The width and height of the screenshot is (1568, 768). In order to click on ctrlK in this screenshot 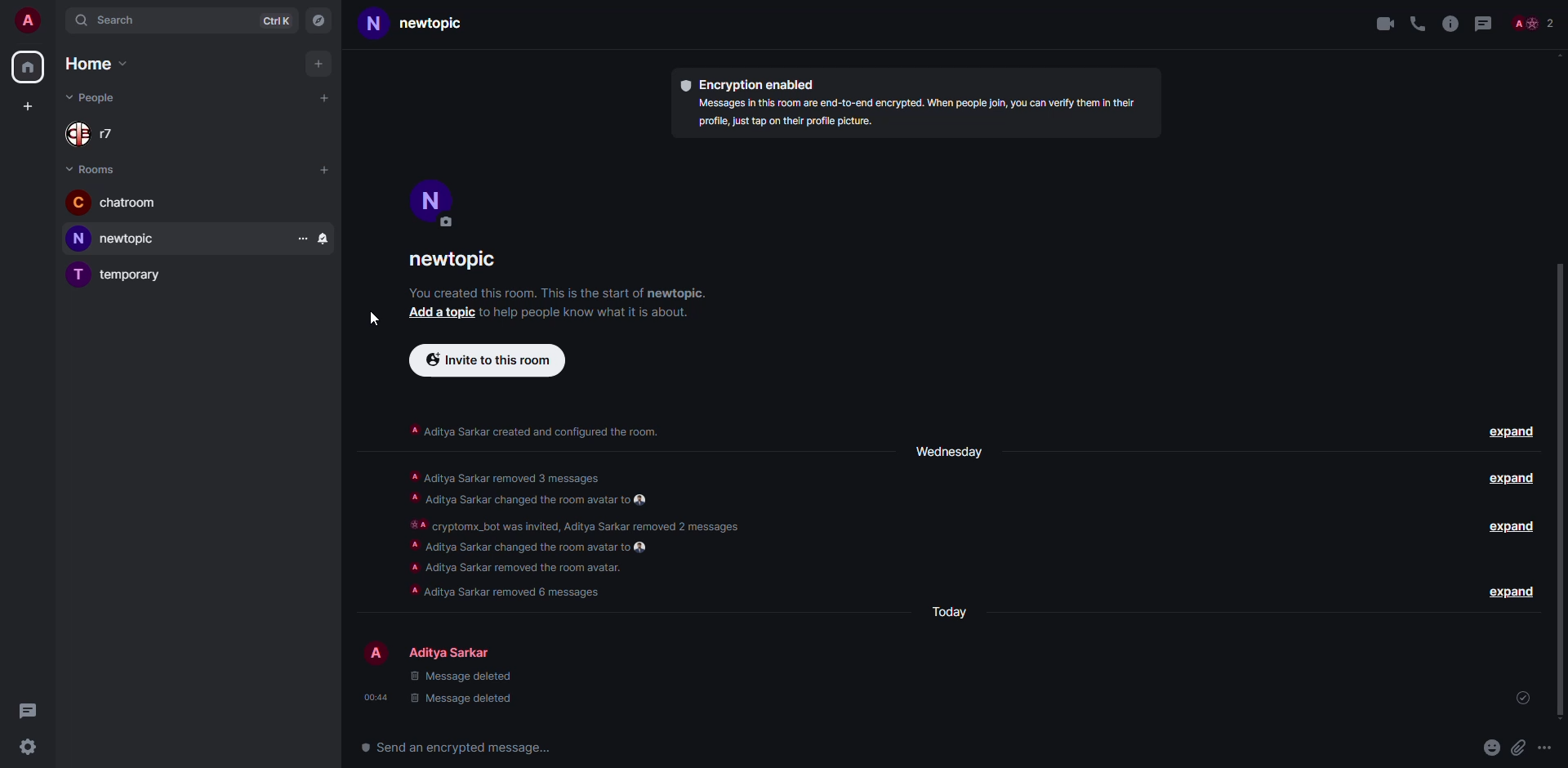, I will do `click(274, 22)`.